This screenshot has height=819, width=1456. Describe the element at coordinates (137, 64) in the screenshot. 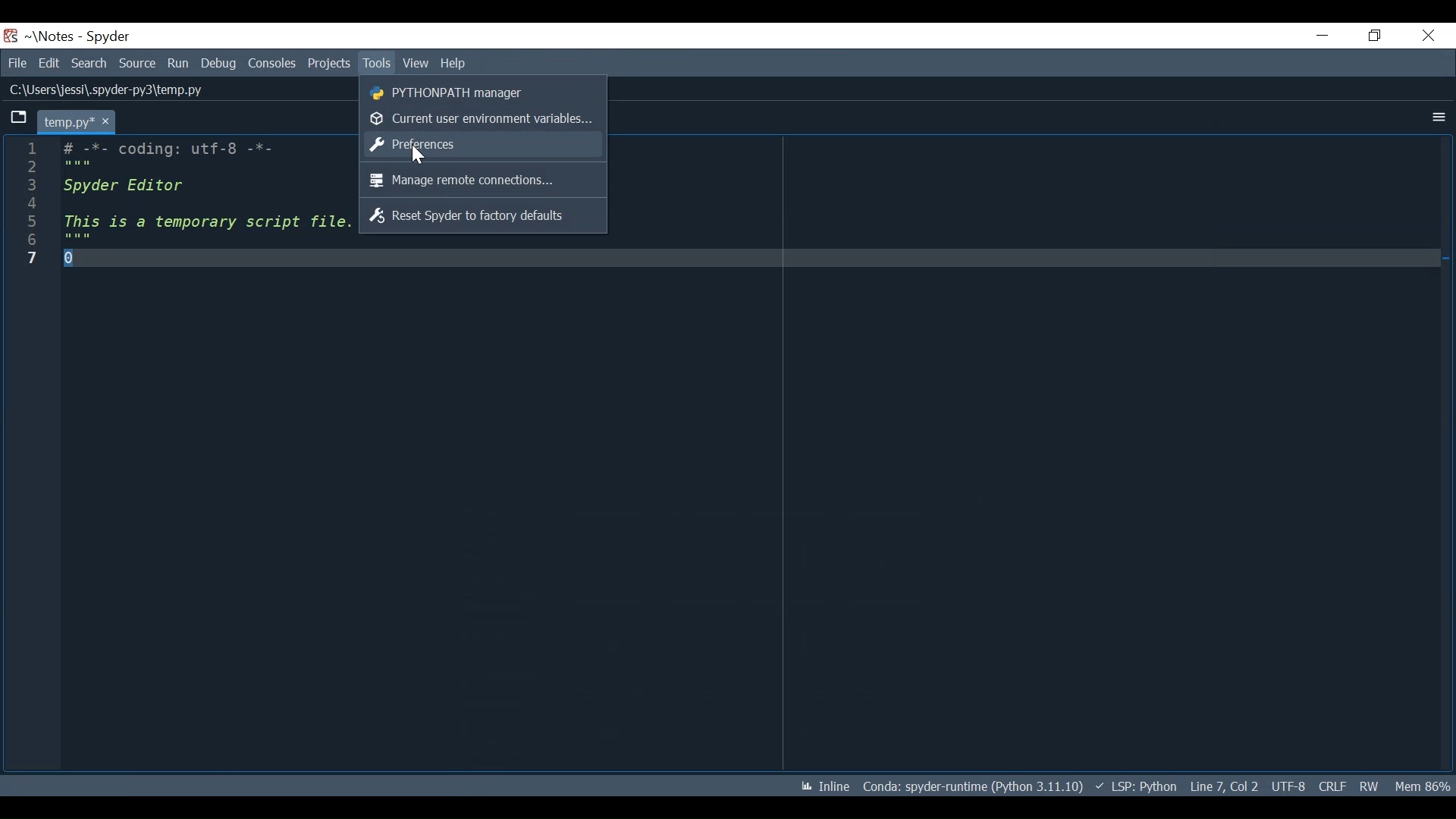

I see `Source` at that location.